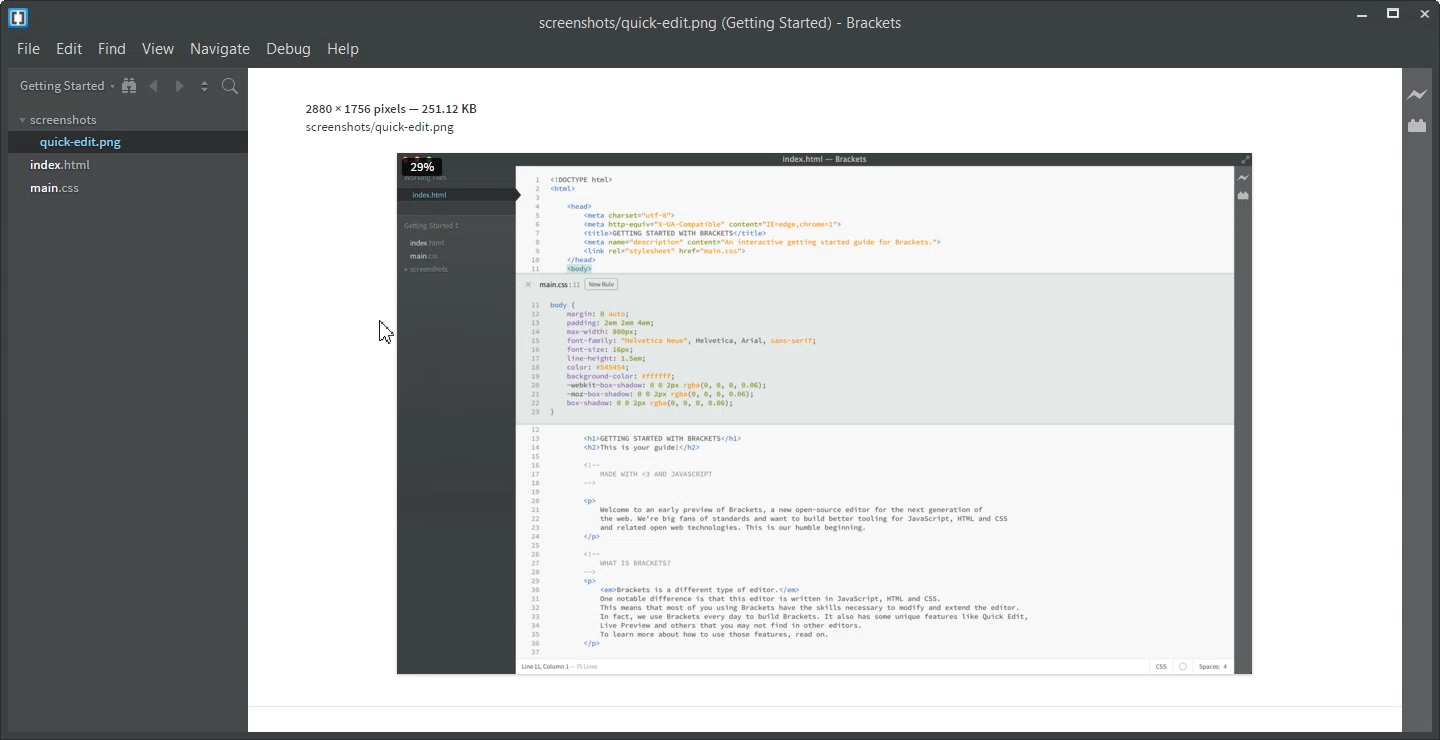 The image size is (1440, 740). Describe the element at coordinates (729, 23) in the screenshot. I see `` at that location.